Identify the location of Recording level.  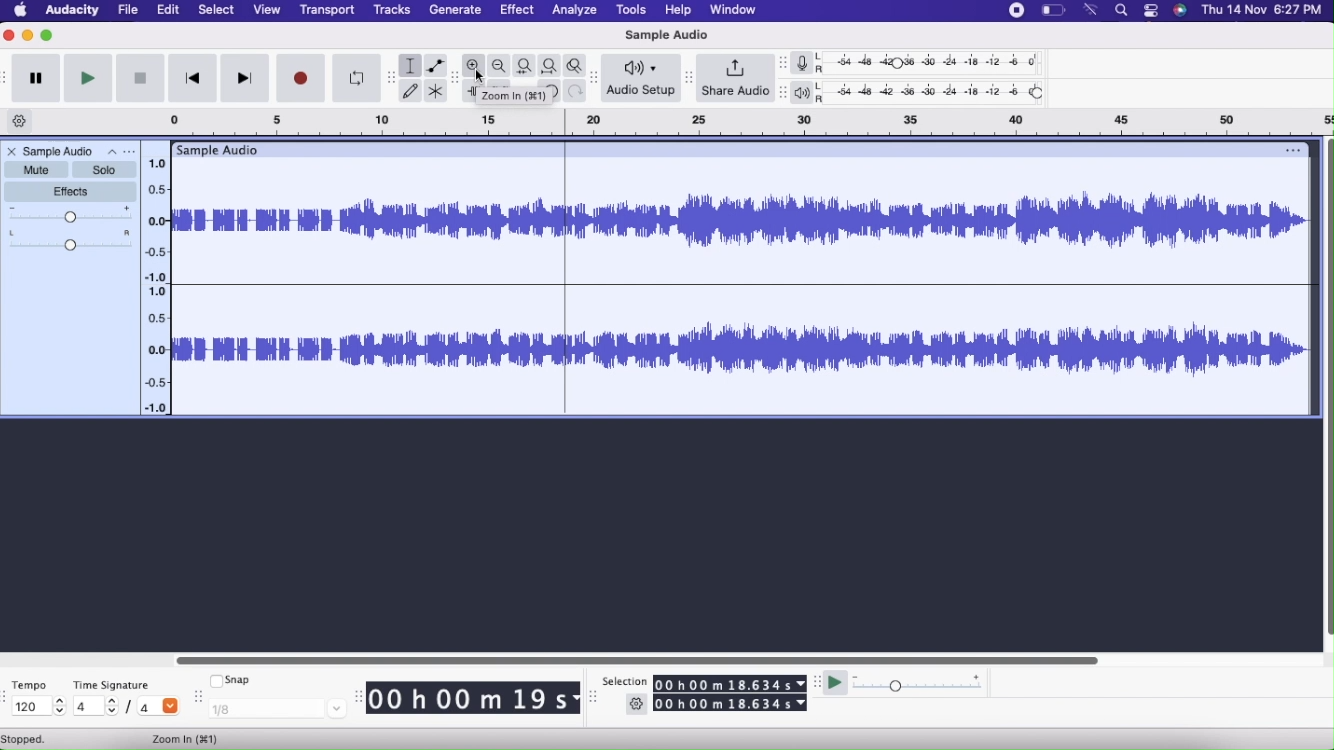
(939, 61).